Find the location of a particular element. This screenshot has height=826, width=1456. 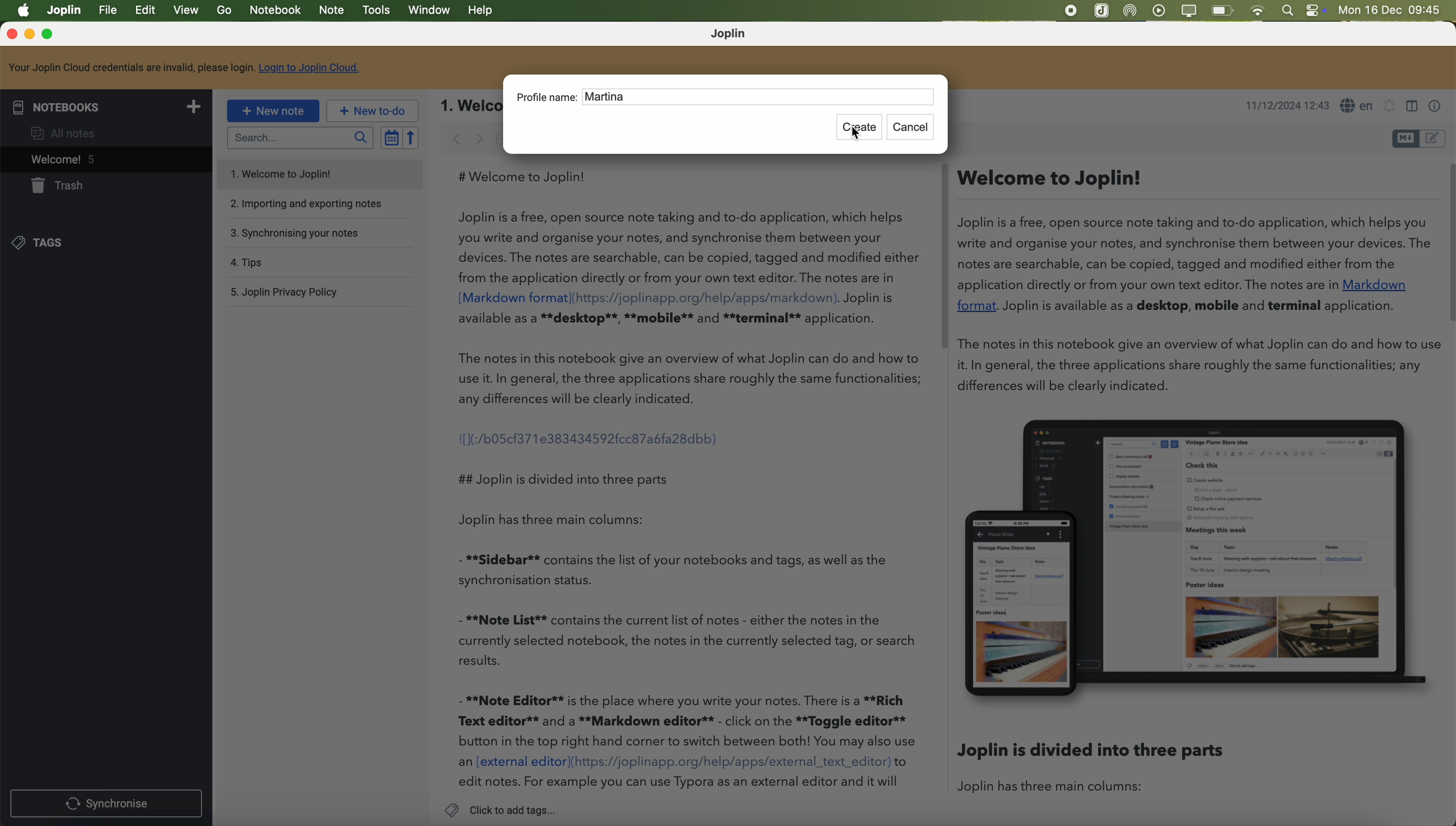

Martina is located at coordinates (610, 99).